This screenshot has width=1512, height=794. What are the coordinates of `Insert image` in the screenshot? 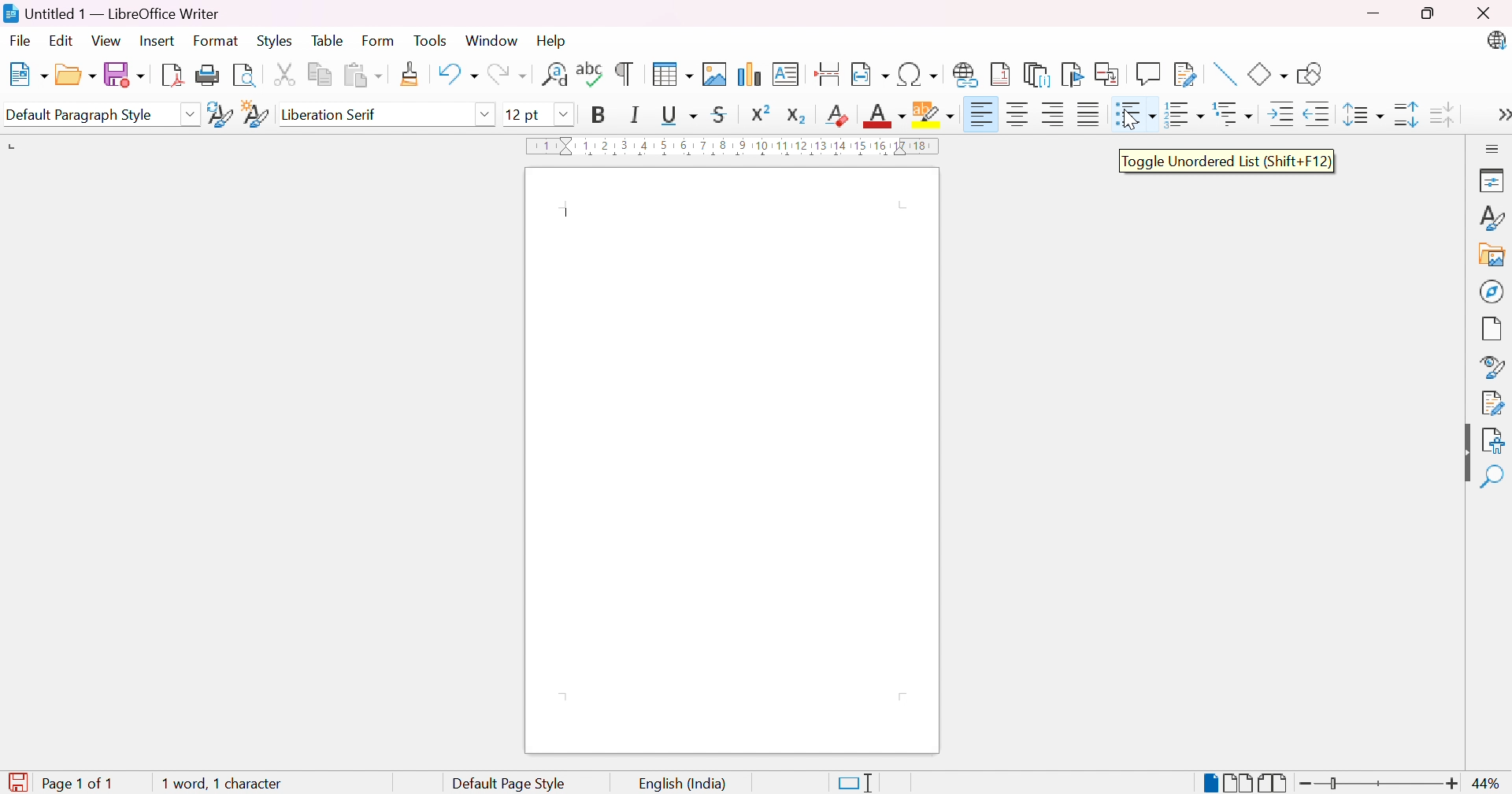 It's located at (716, 74).